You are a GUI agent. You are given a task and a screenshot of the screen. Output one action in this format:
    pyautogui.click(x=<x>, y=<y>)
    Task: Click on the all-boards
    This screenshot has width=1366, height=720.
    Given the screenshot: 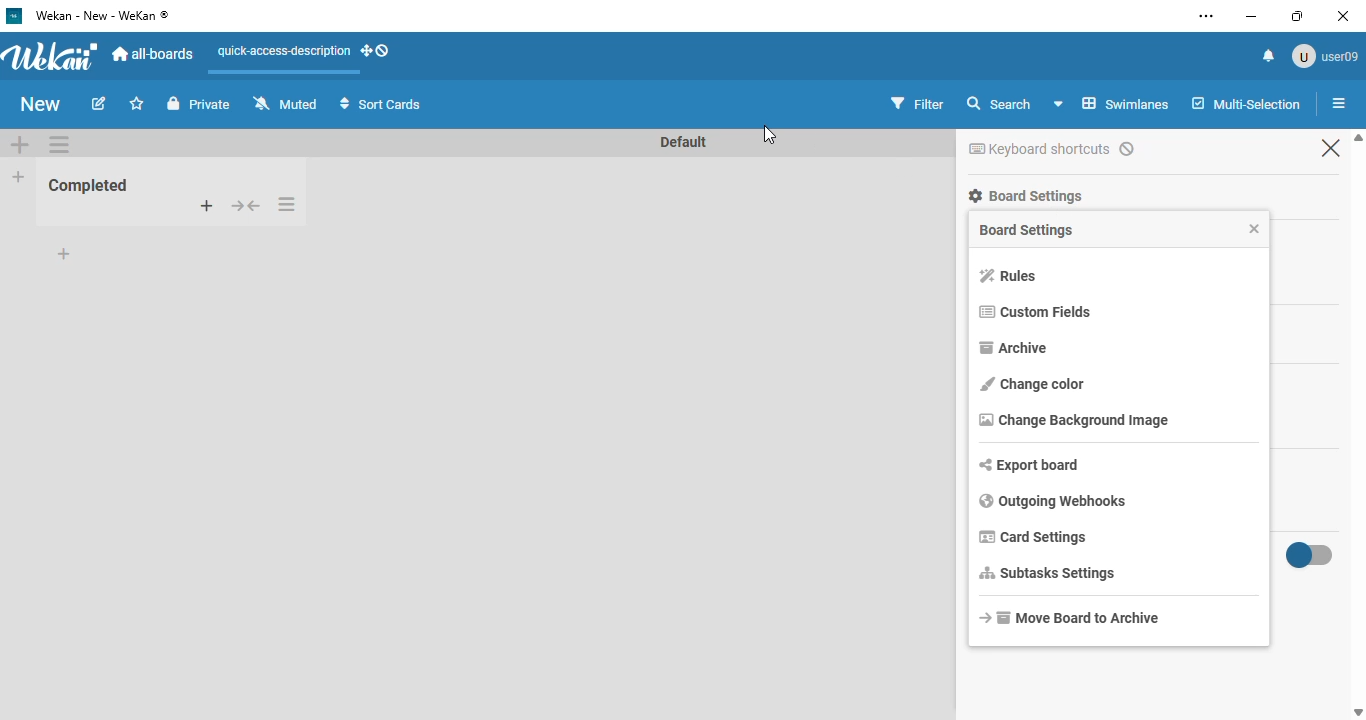 What is the action you would take?
    pyautogui.click(x=156, y=55)
    